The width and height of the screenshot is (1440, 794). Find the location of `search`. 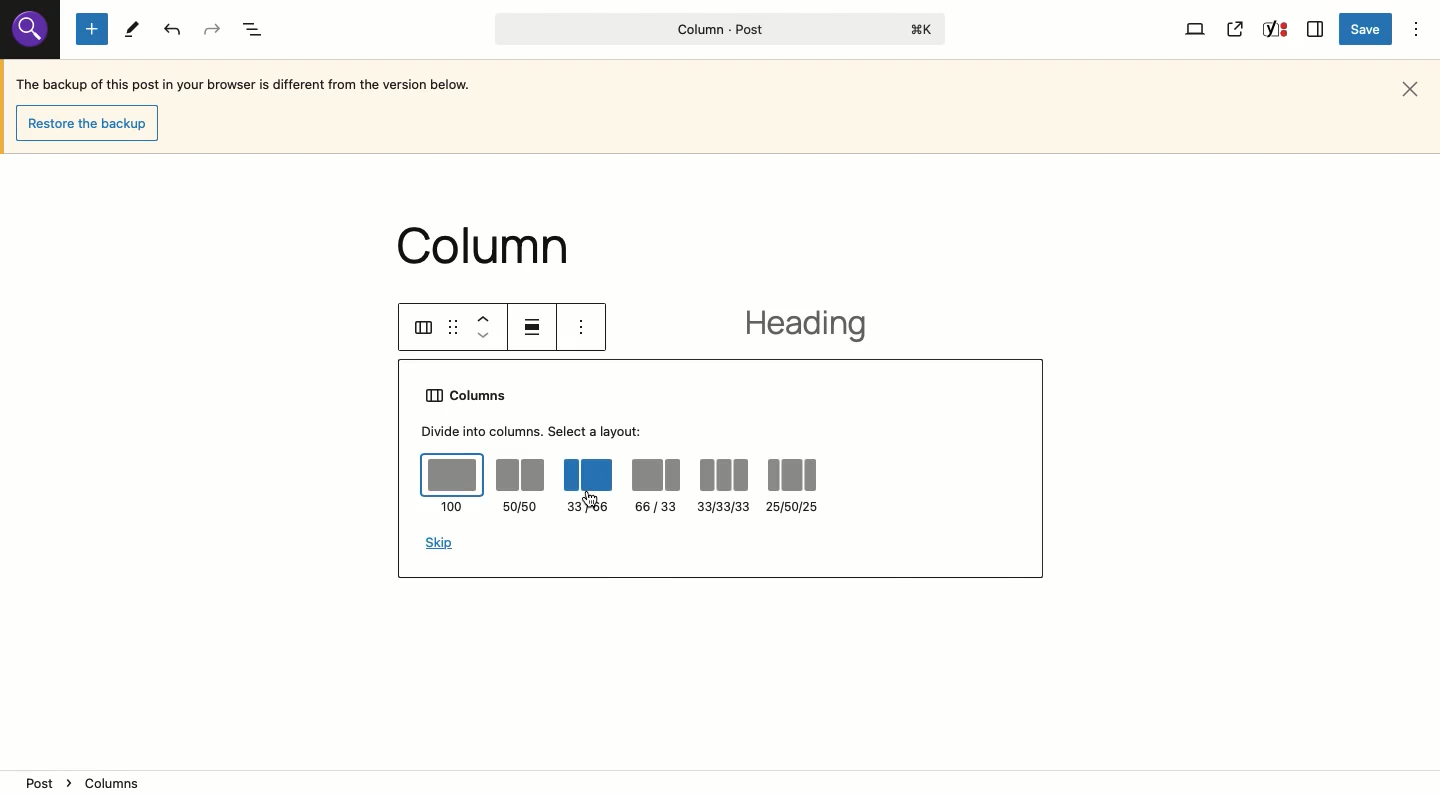

search is located at coordinates (28, 30).